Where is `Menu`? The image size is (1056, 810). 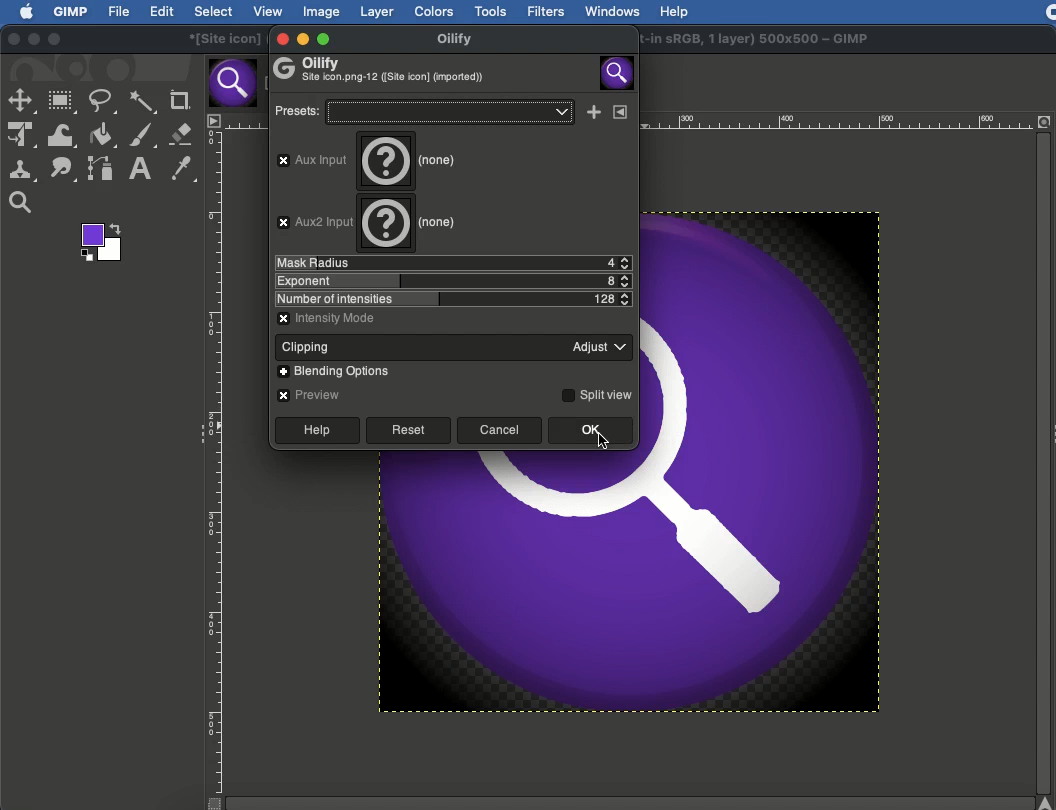 Menu is located at coordinates (215, 121).